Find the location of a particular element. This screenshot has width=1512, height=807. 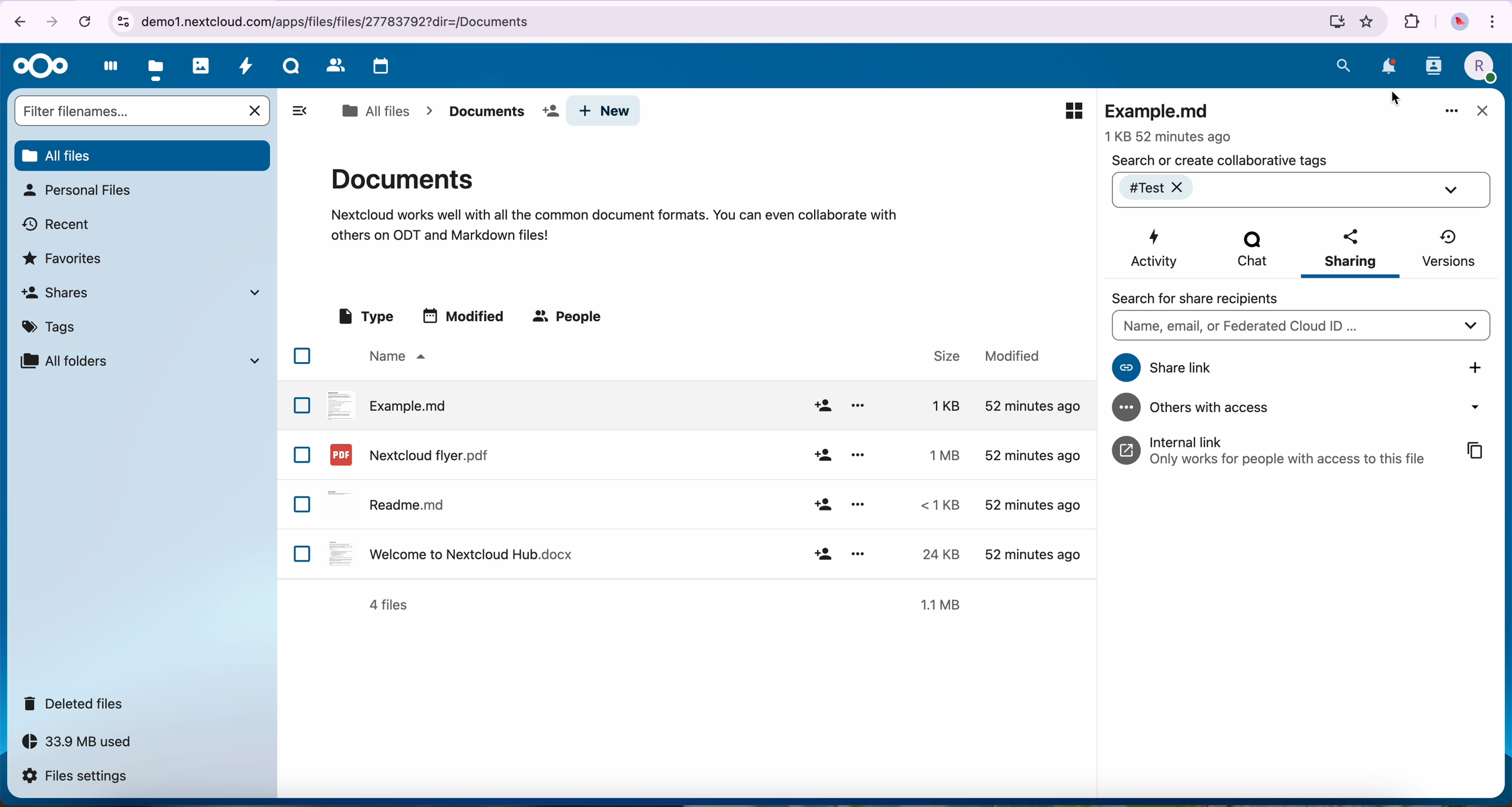

cancel is located at coordinates (256, 111).